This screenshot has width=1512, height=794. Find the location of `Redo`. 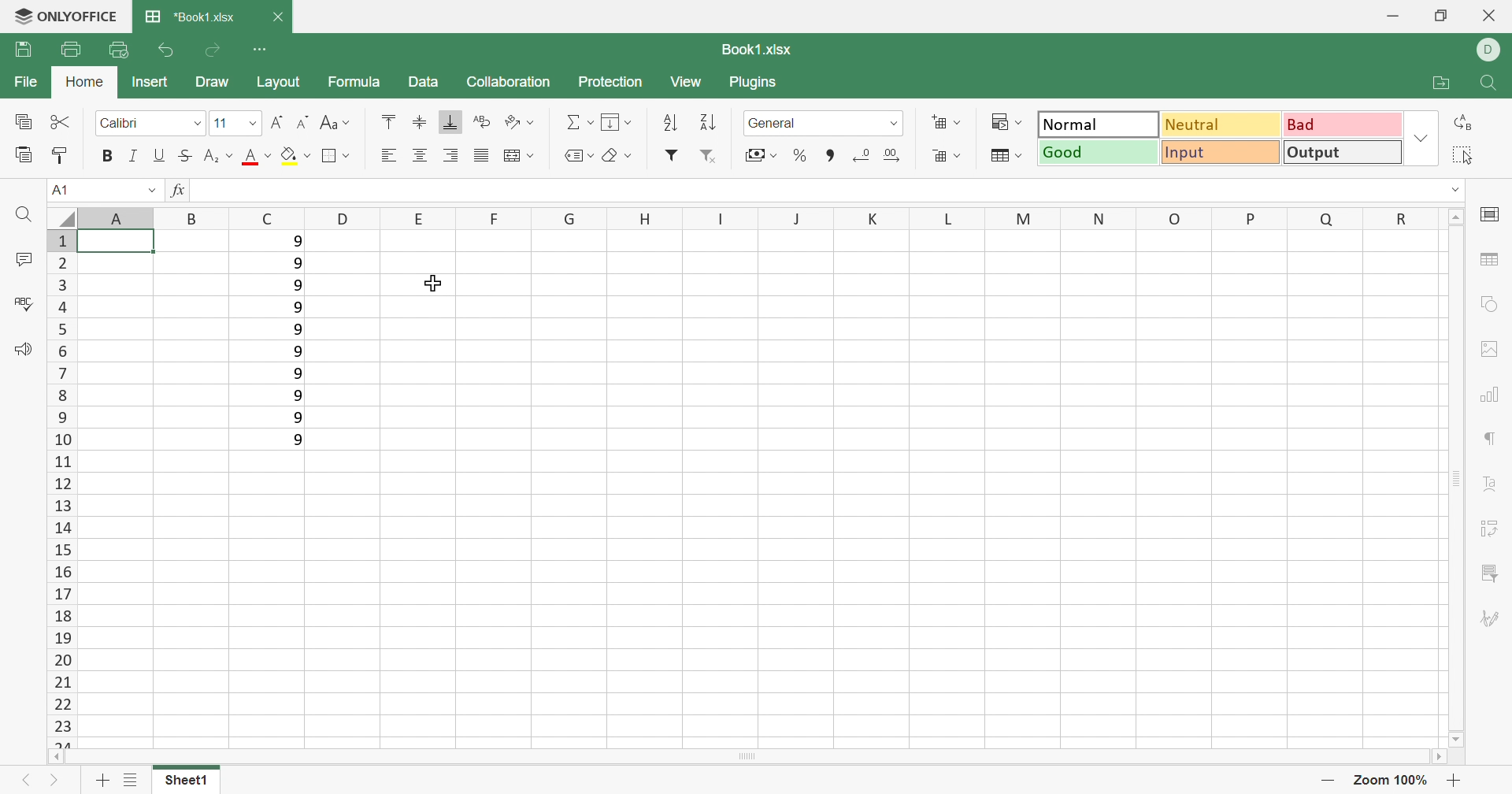

Redo is located at coordinates (212, 50).